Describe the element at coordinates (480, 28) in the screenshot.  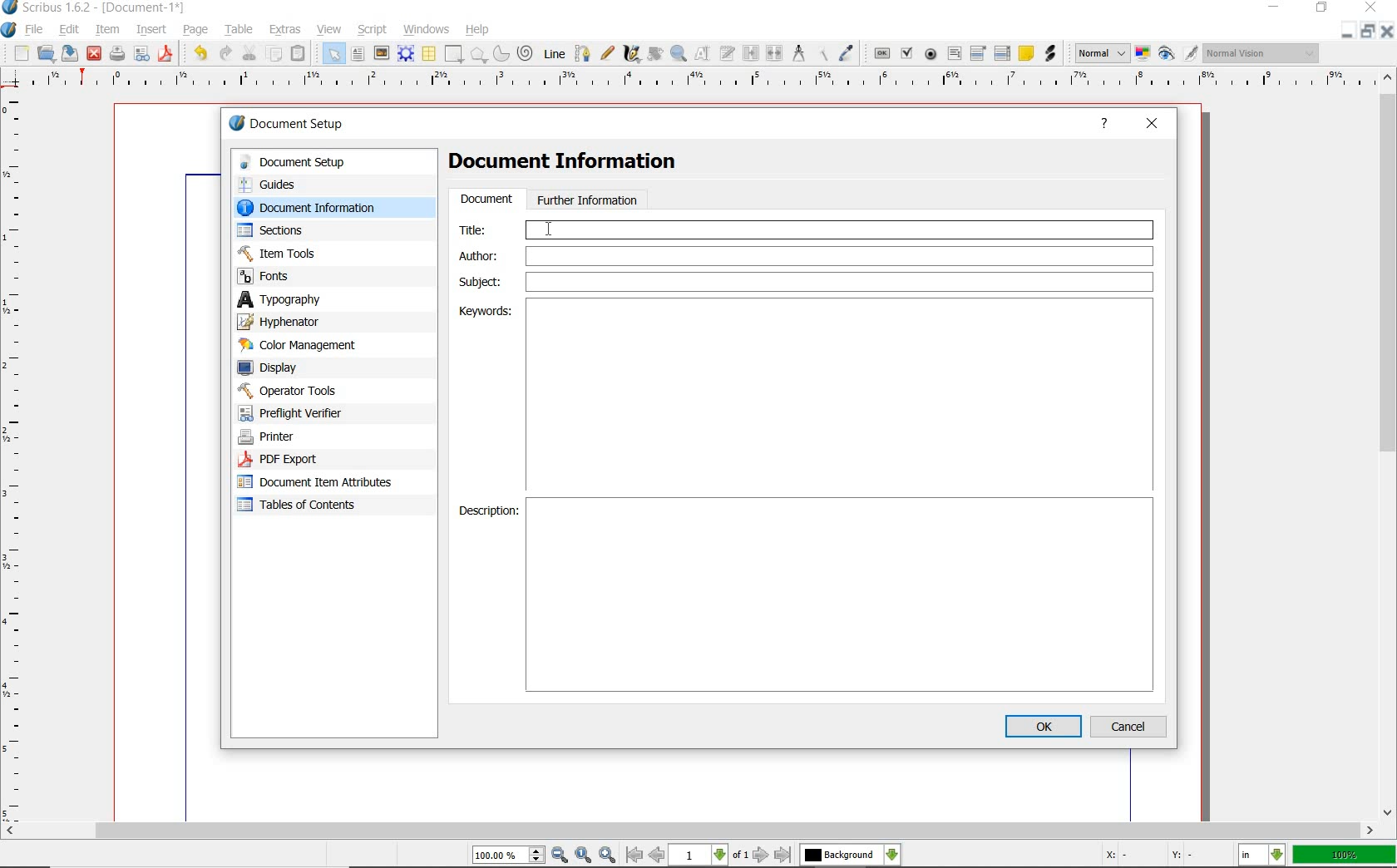
I see `help` at that location.